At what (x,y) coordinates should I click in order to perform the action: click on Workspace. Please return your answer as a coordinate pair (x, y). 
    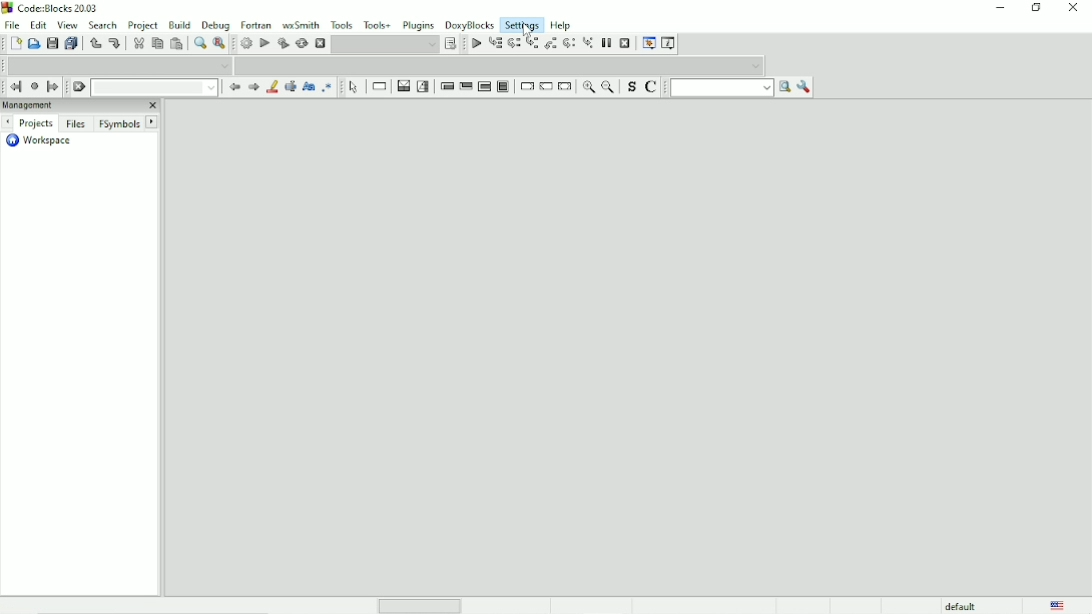
    Looking at the image, I should click on (43, 142).